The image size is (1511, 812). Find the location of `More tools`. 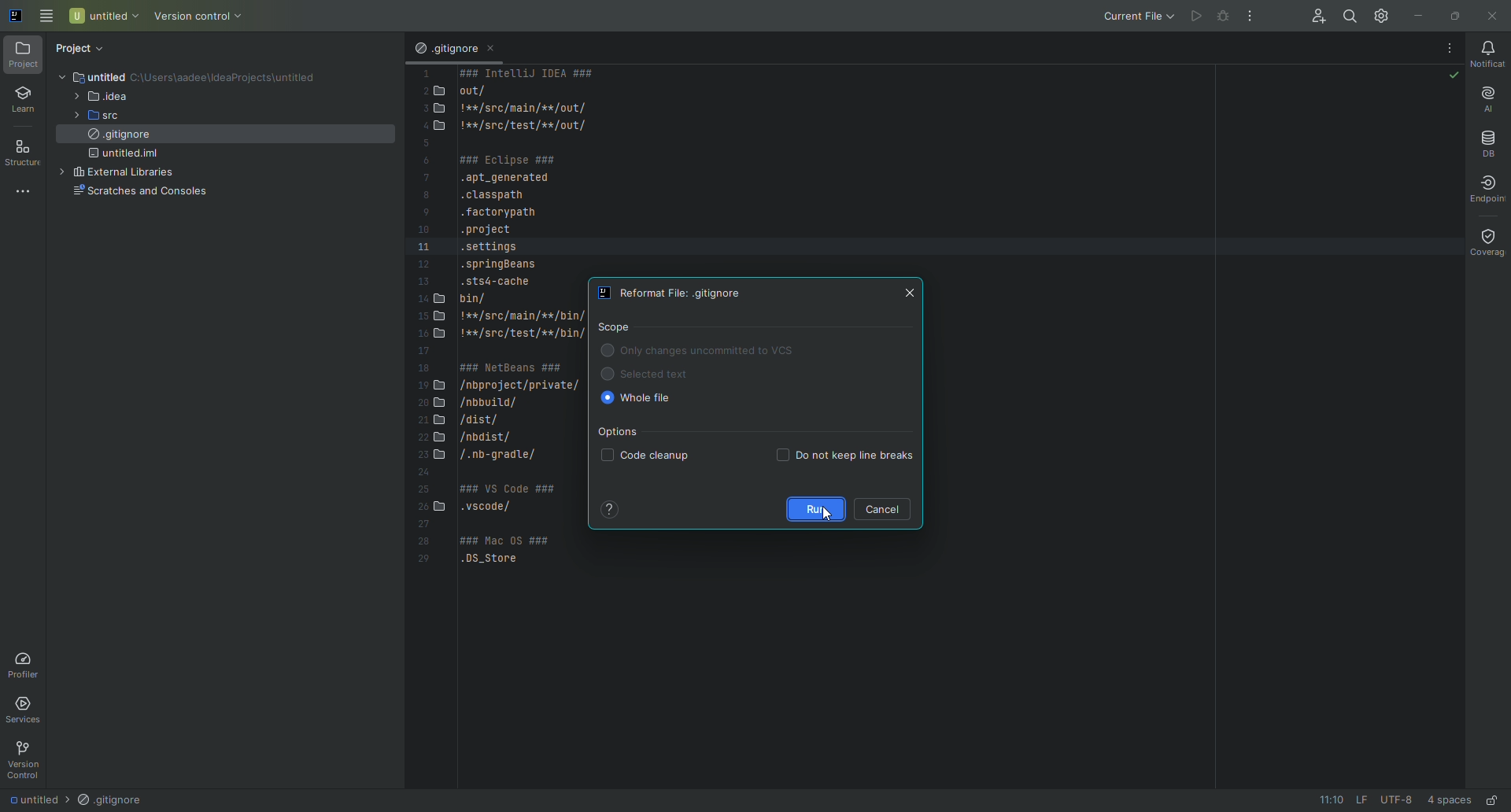

More tools is located at coordinates (26, 190).